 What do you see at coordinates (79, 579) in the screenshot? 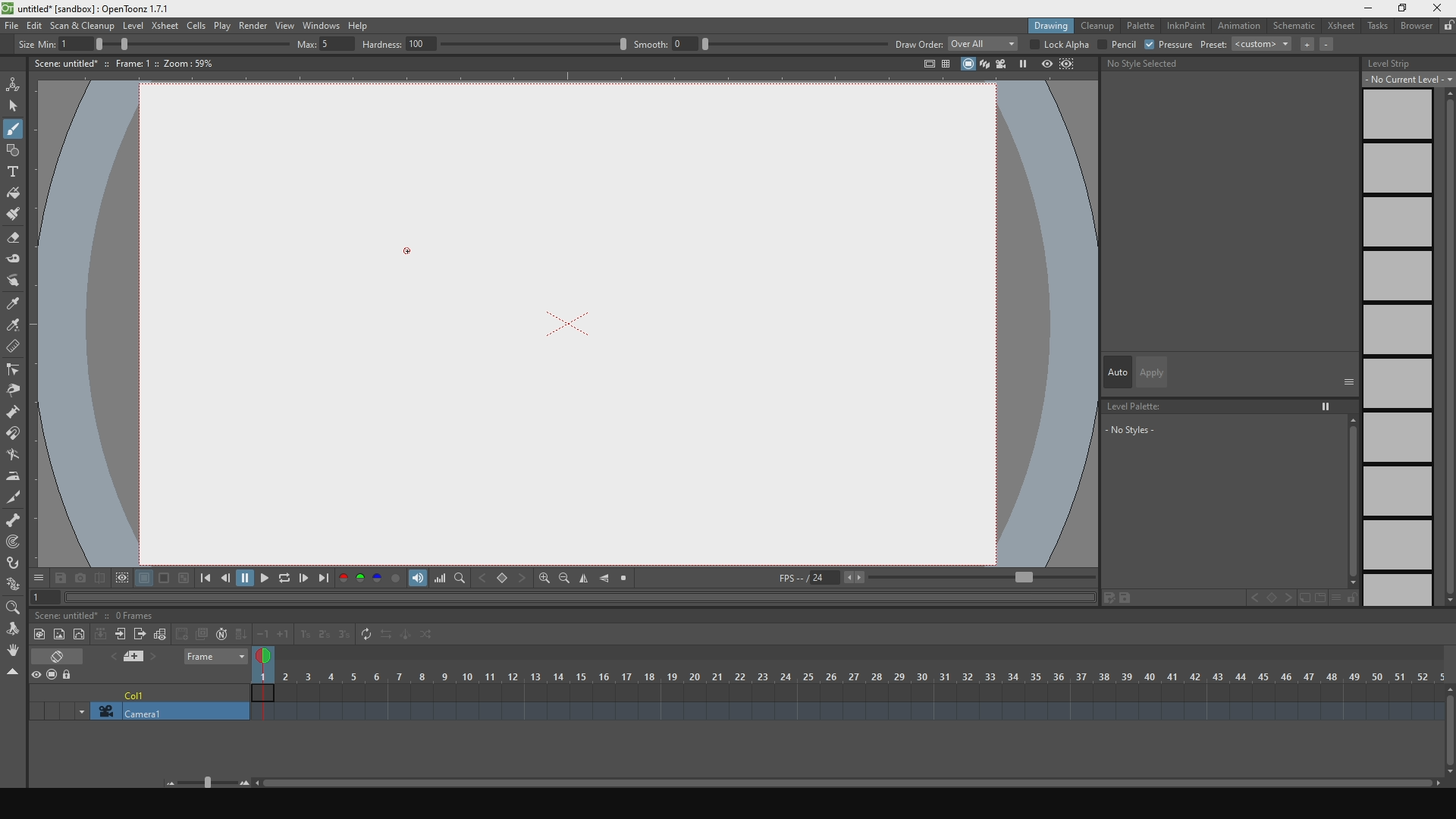
I see `capture` at bounding box center [79, 579].